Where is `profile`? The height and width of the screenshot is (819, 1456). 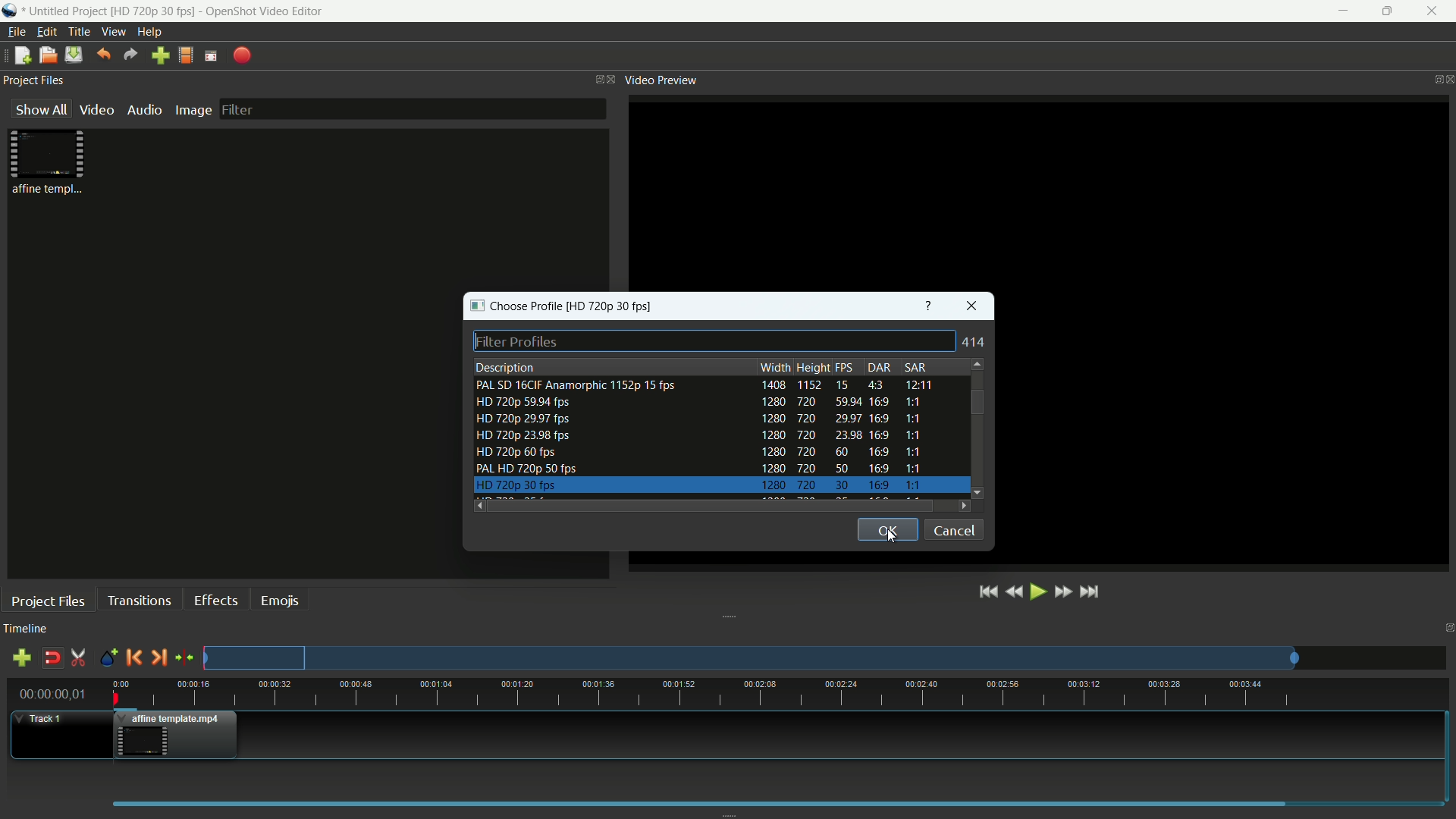
profile is located at coordinates (187, 57).